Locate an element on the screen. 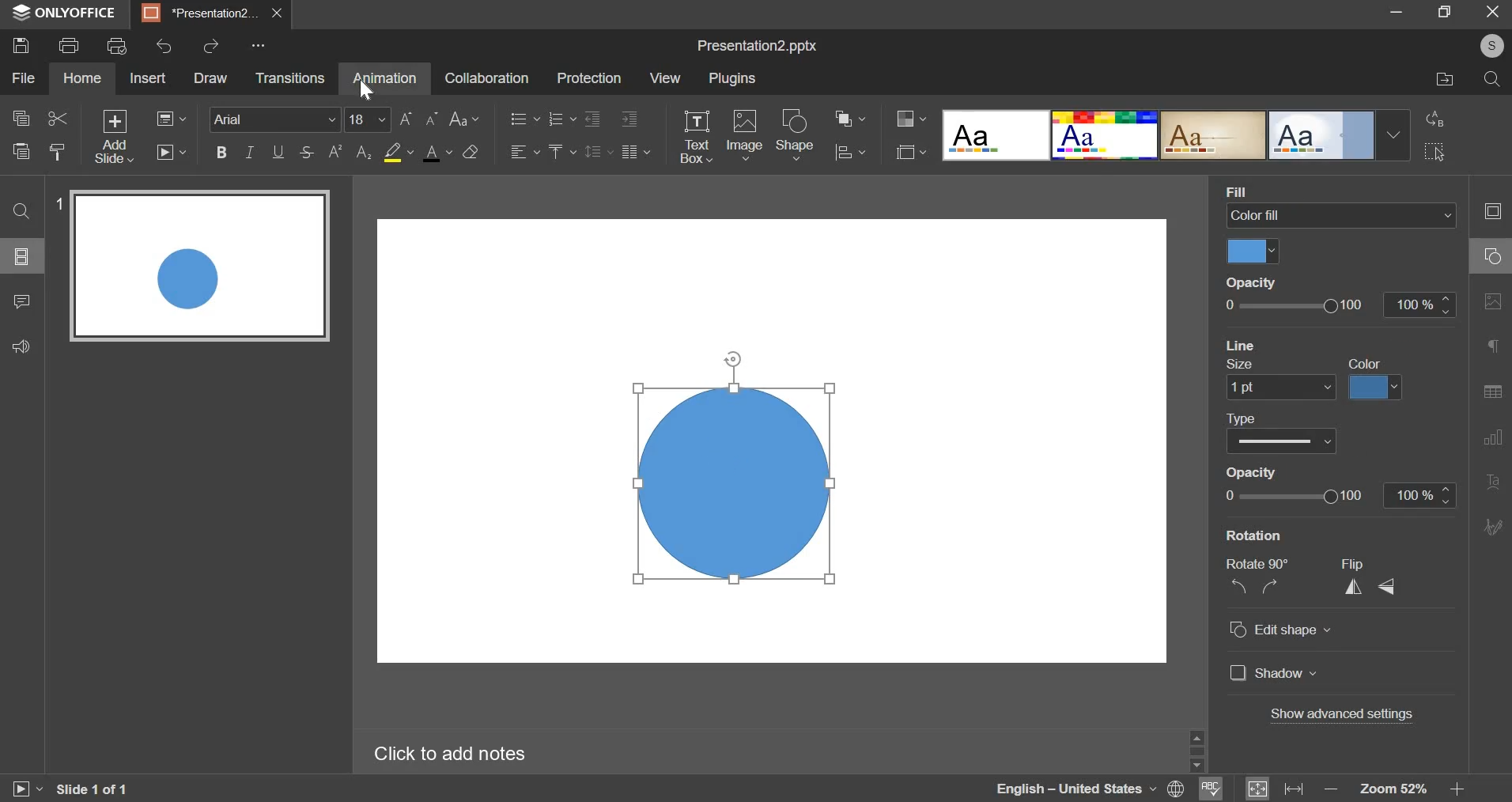 This screenshot has height=802, width=1512. zoom is located at coordinates (1392, 789).